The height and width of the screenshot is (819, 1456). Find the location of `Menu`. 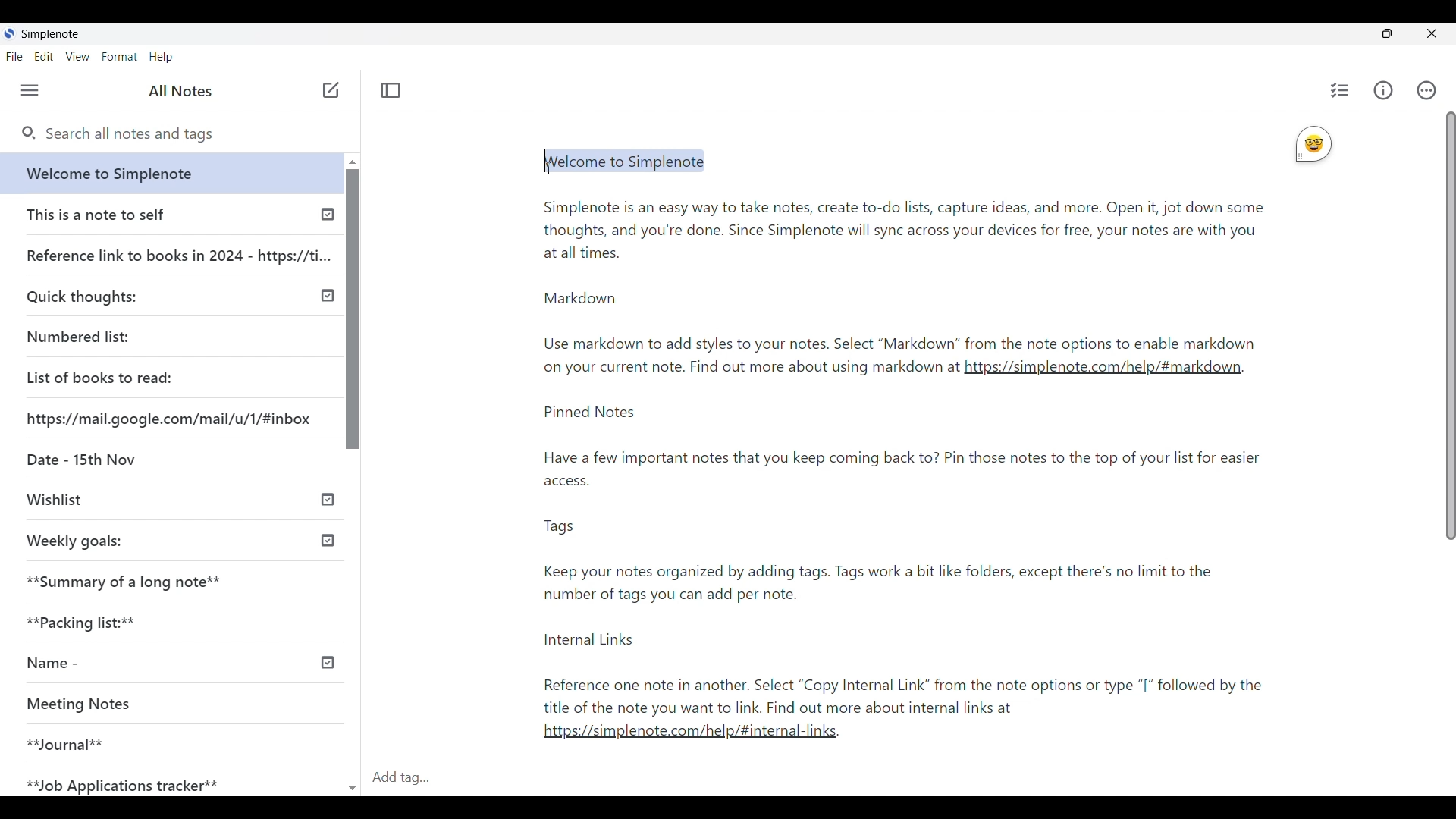

Menu is located at coordinates (30, 90).